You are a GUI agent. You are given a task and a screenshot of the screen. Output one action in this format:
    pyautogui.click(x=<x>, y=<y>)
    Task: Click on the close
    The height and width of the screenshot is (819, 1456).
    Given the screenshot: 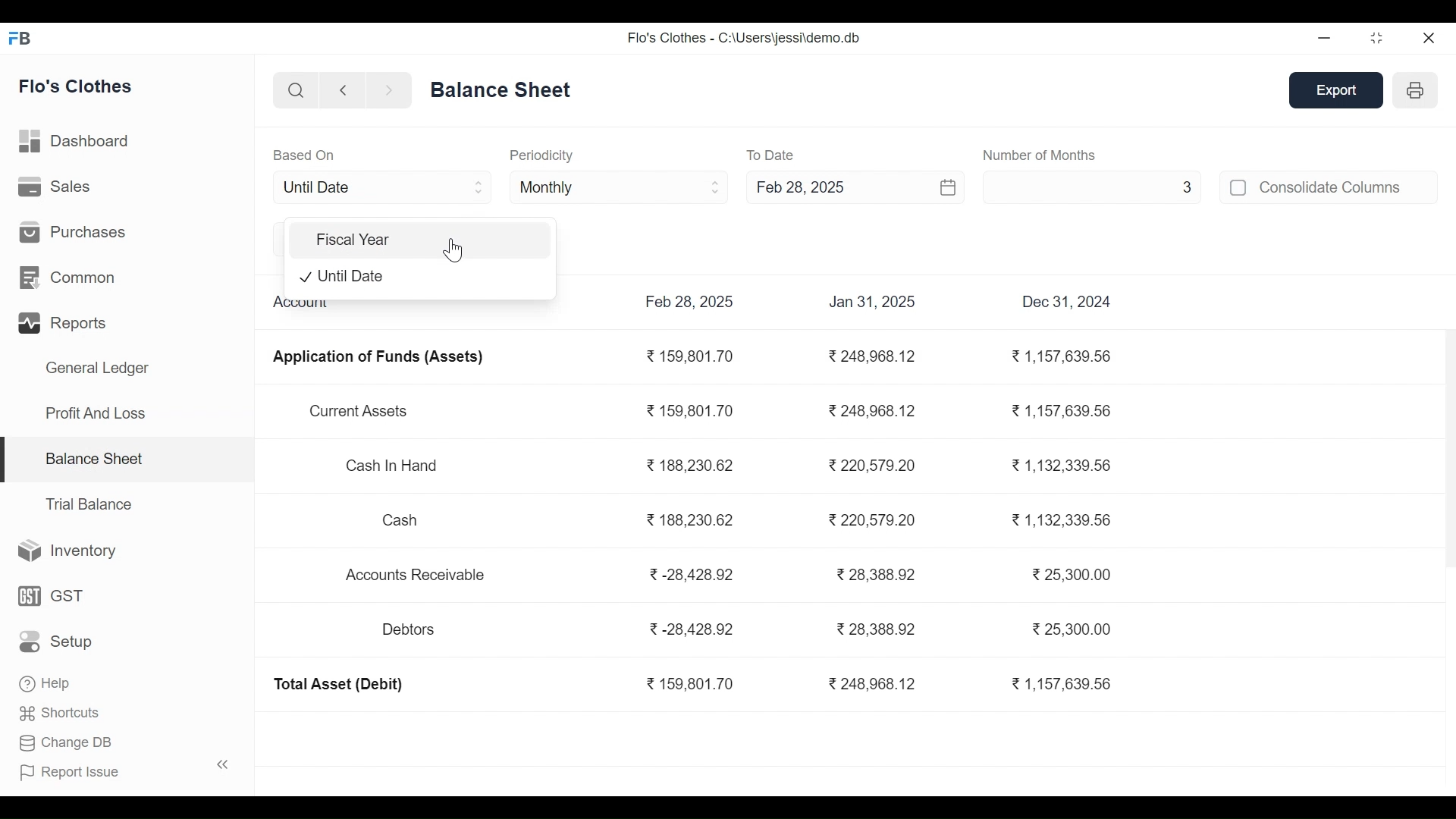 What is the action you would take?
    pyautogui.click(x=1430, y=37)
    